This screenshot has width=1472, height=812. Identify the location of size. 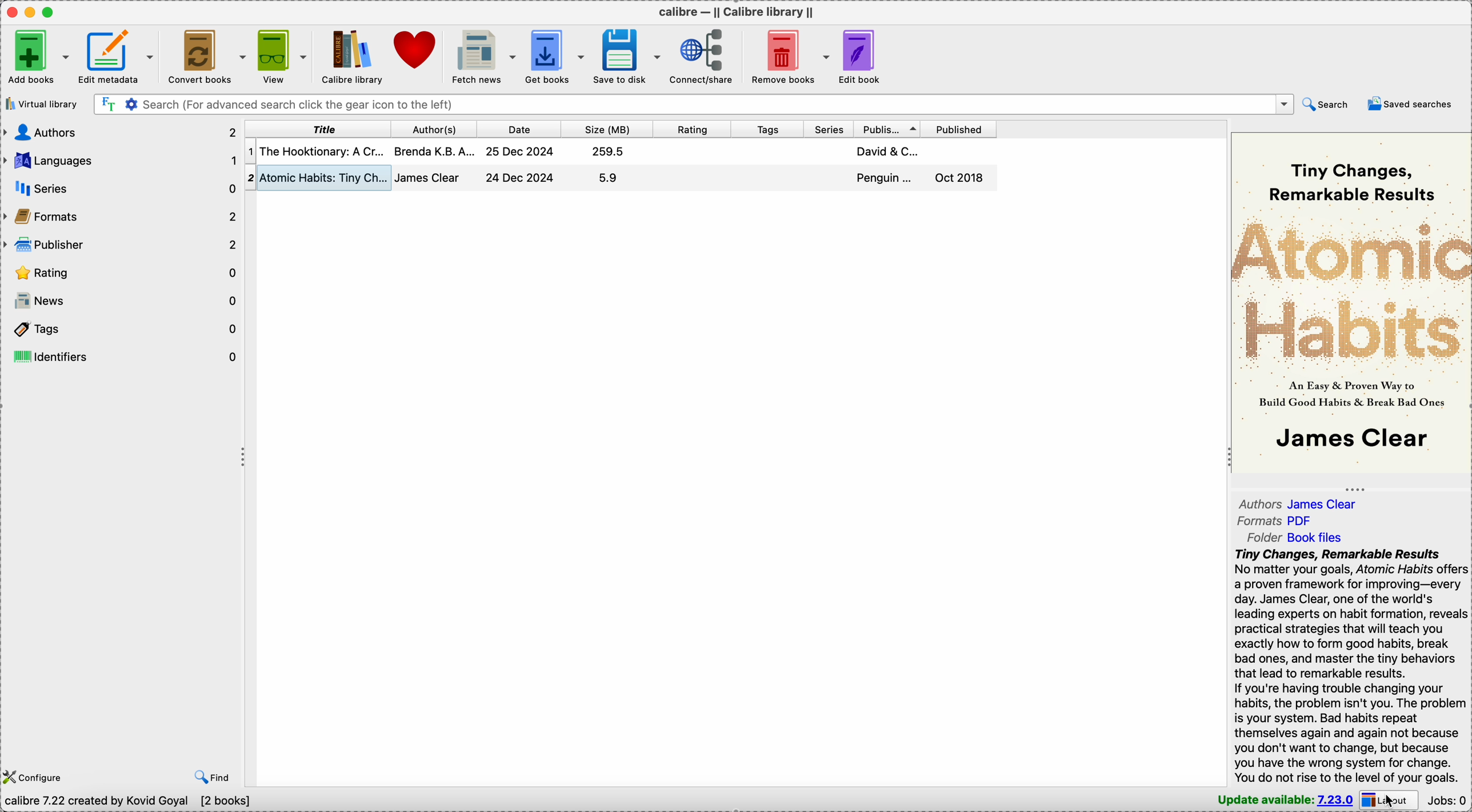
(606, 130).